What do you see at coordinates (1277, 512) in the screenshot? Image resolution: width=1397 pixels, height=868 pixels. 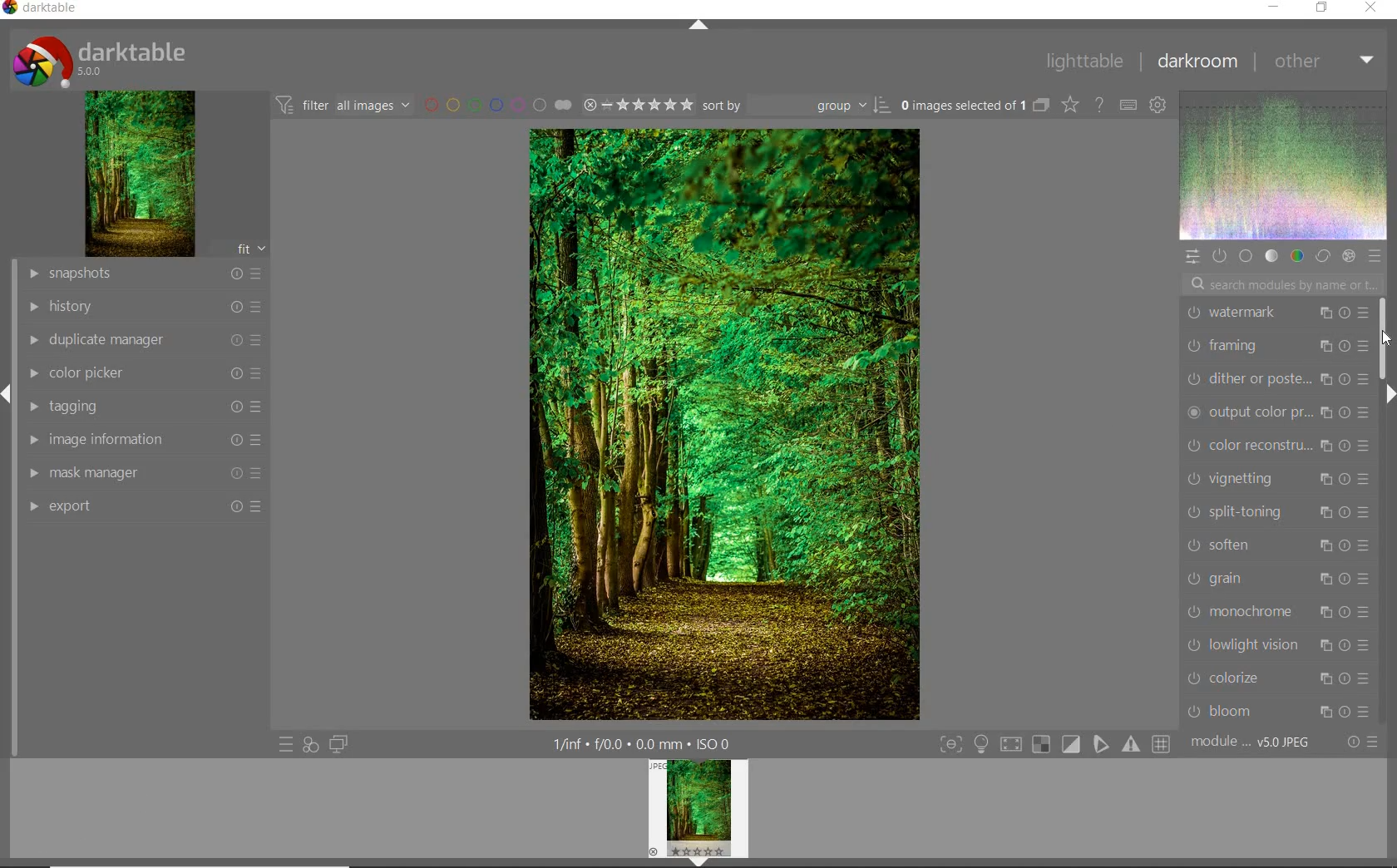 I see `SPLIT TONING` at bounding box center [1277, 512].